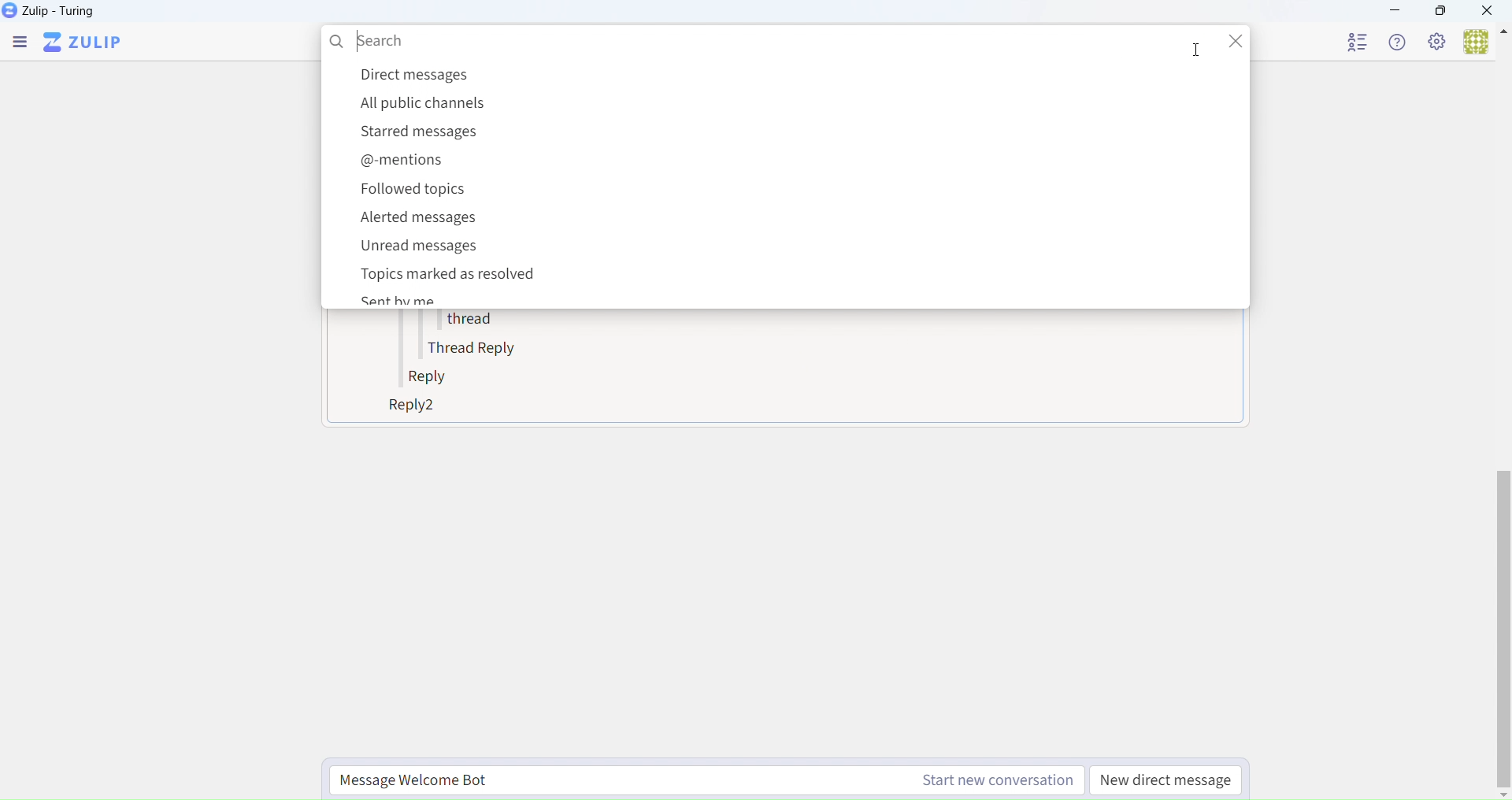  Describe the element at coordinates (758, 39) in the screenshot. I see `Search` at that location.